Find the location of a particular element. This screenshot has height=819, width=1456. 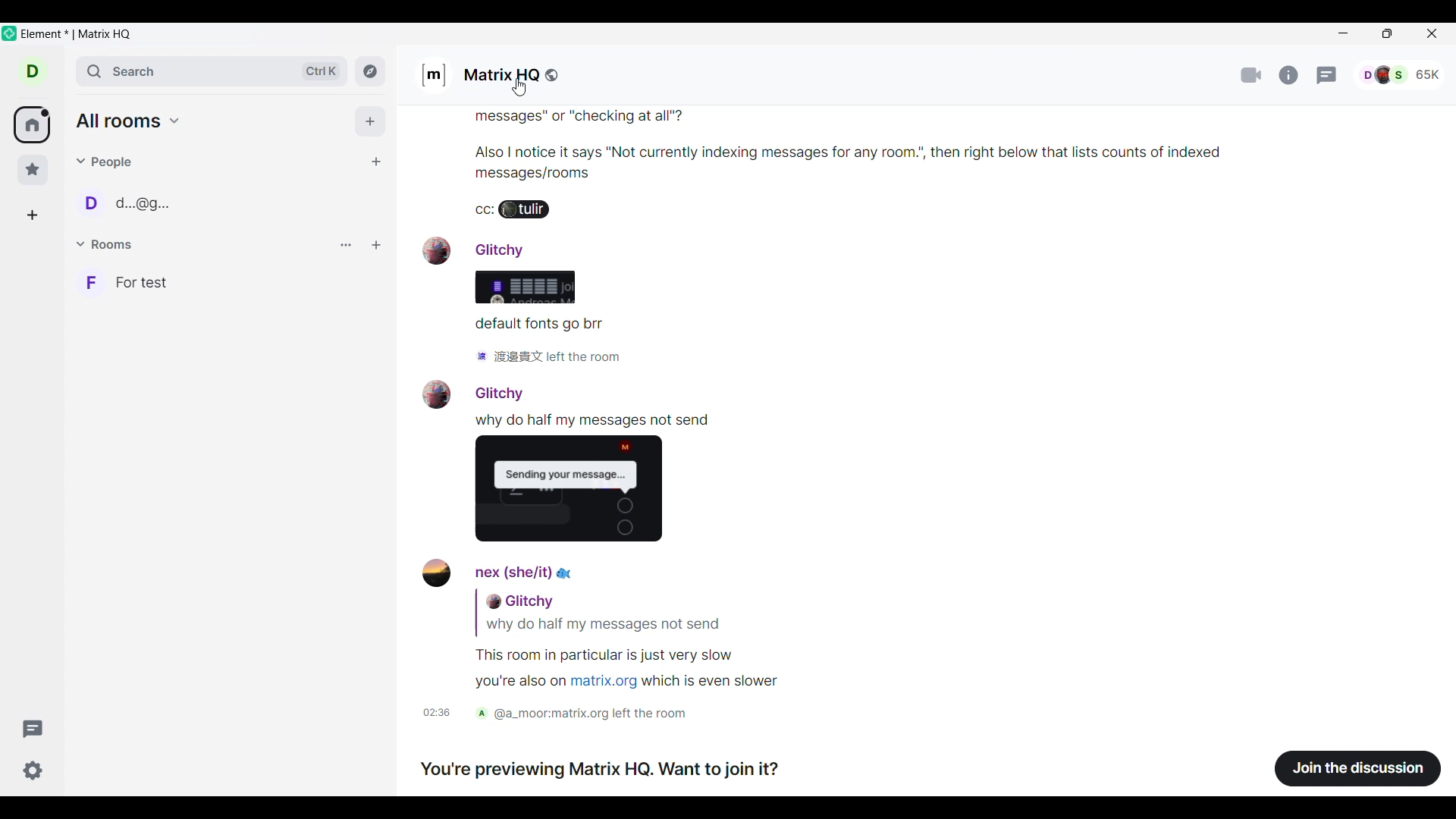

Explore rooms is located at coordinates (370, 71).